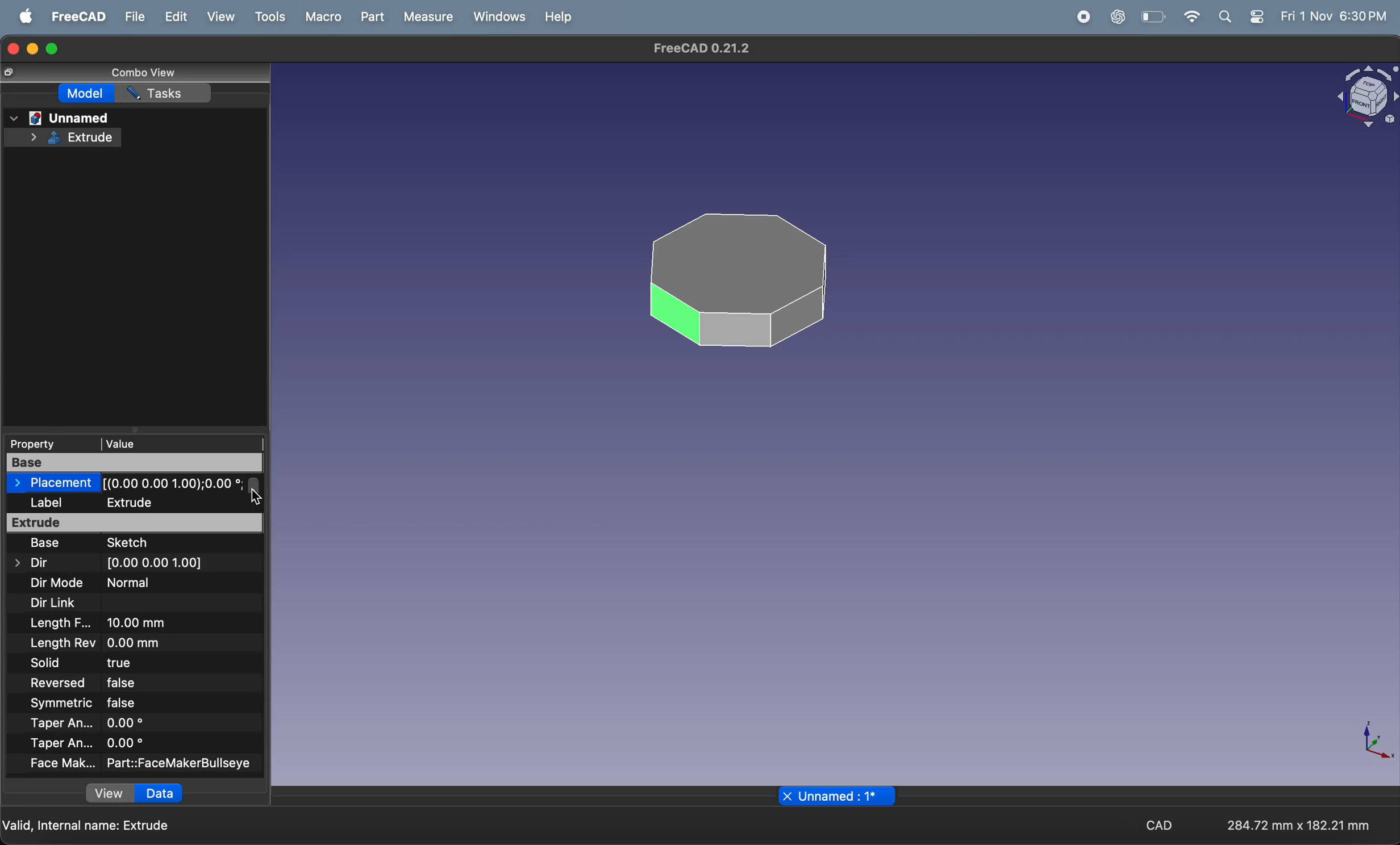 This screenshot has width=1400, height=845. What do you see at coordinates (1260, 16) in the screenshot?
I see `apple widgets` at bounding box center [1260, 16].